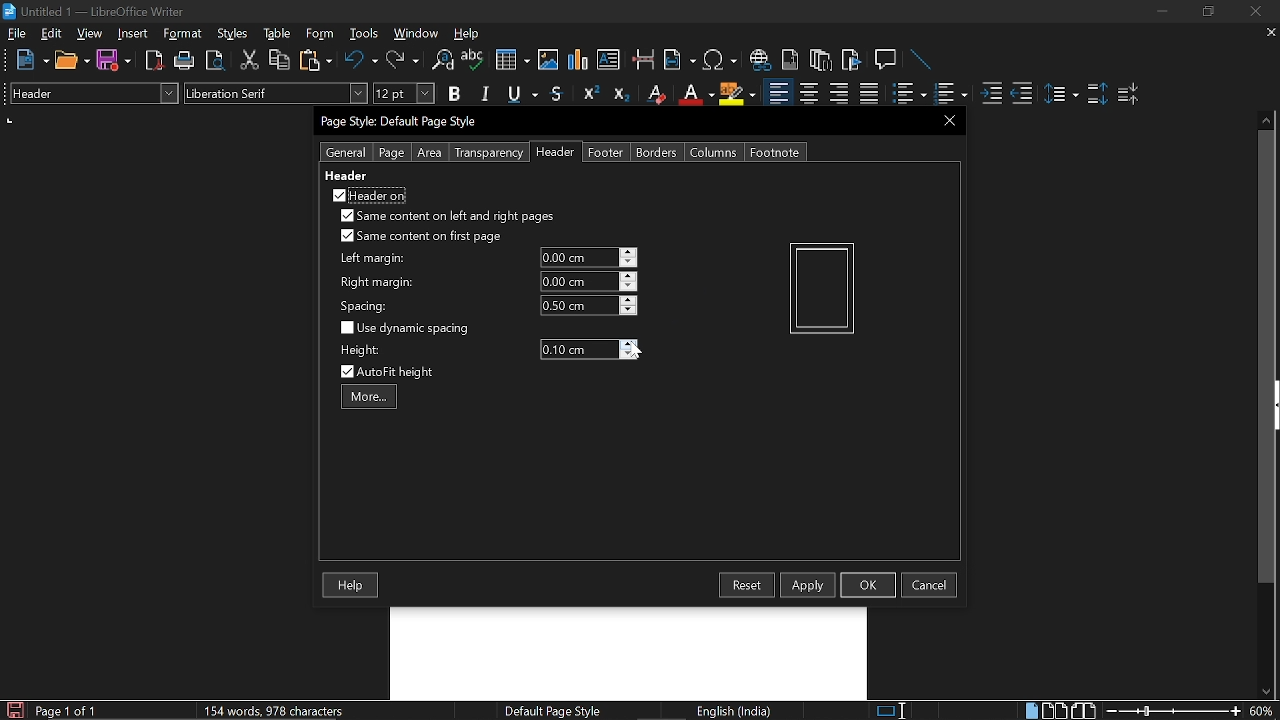 The image size is (1280, 720). I want to click on Current pageview, so click(822, 288).